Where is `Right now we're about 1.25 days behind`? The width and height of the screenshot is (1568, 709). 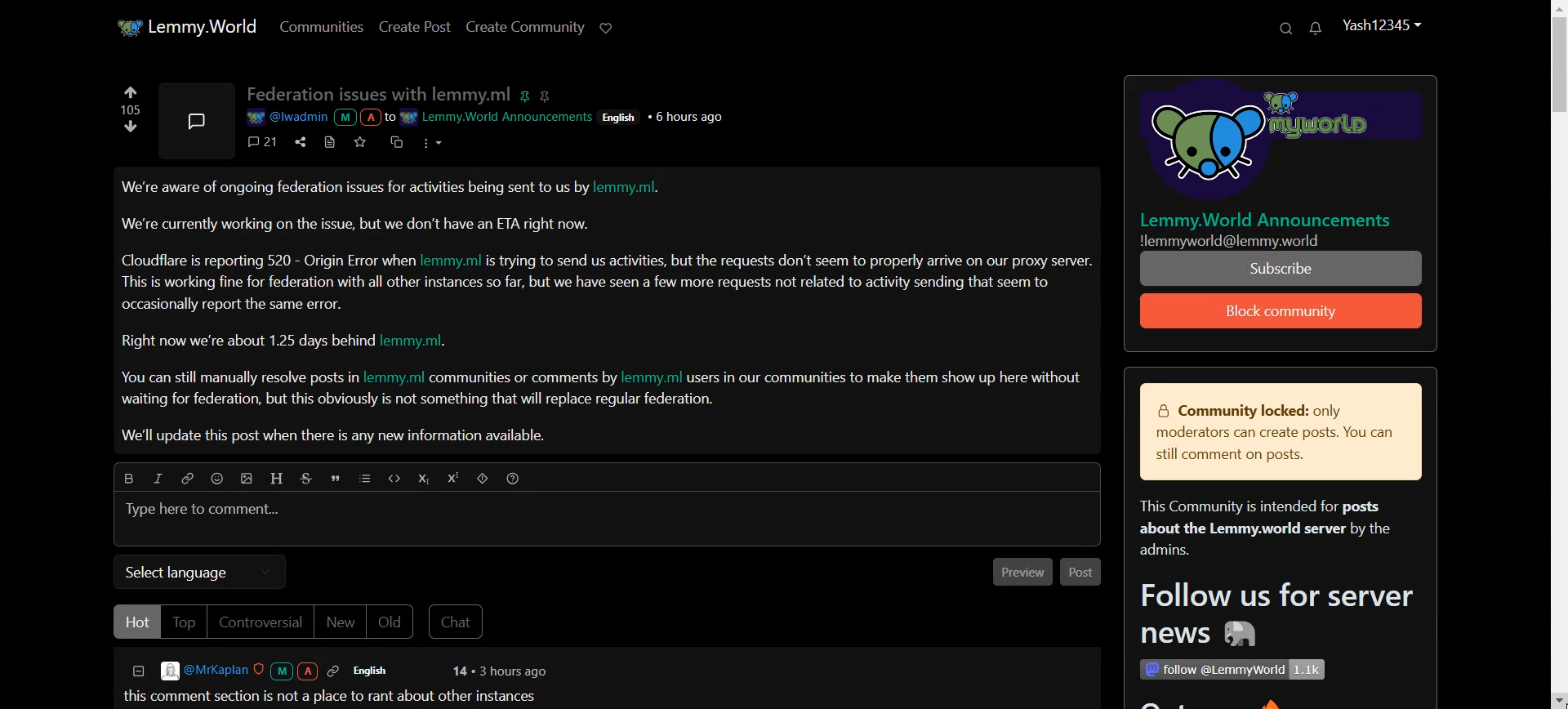
Right now we're about 1.25 days behind is located at coordinates (249, 341).